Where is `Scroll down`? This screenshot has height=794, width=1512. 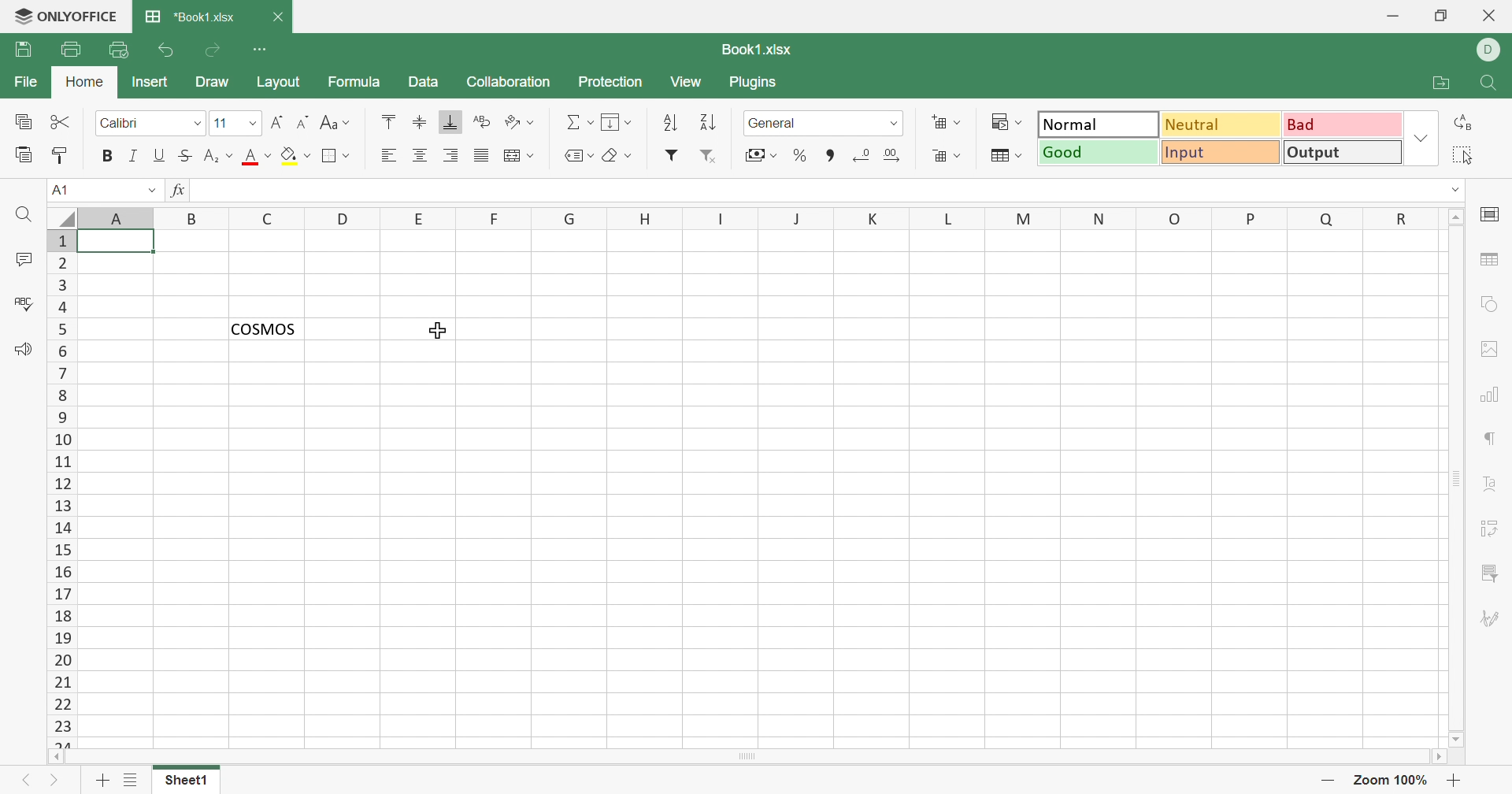 Scroll down is located at coordinates (1456, 740).